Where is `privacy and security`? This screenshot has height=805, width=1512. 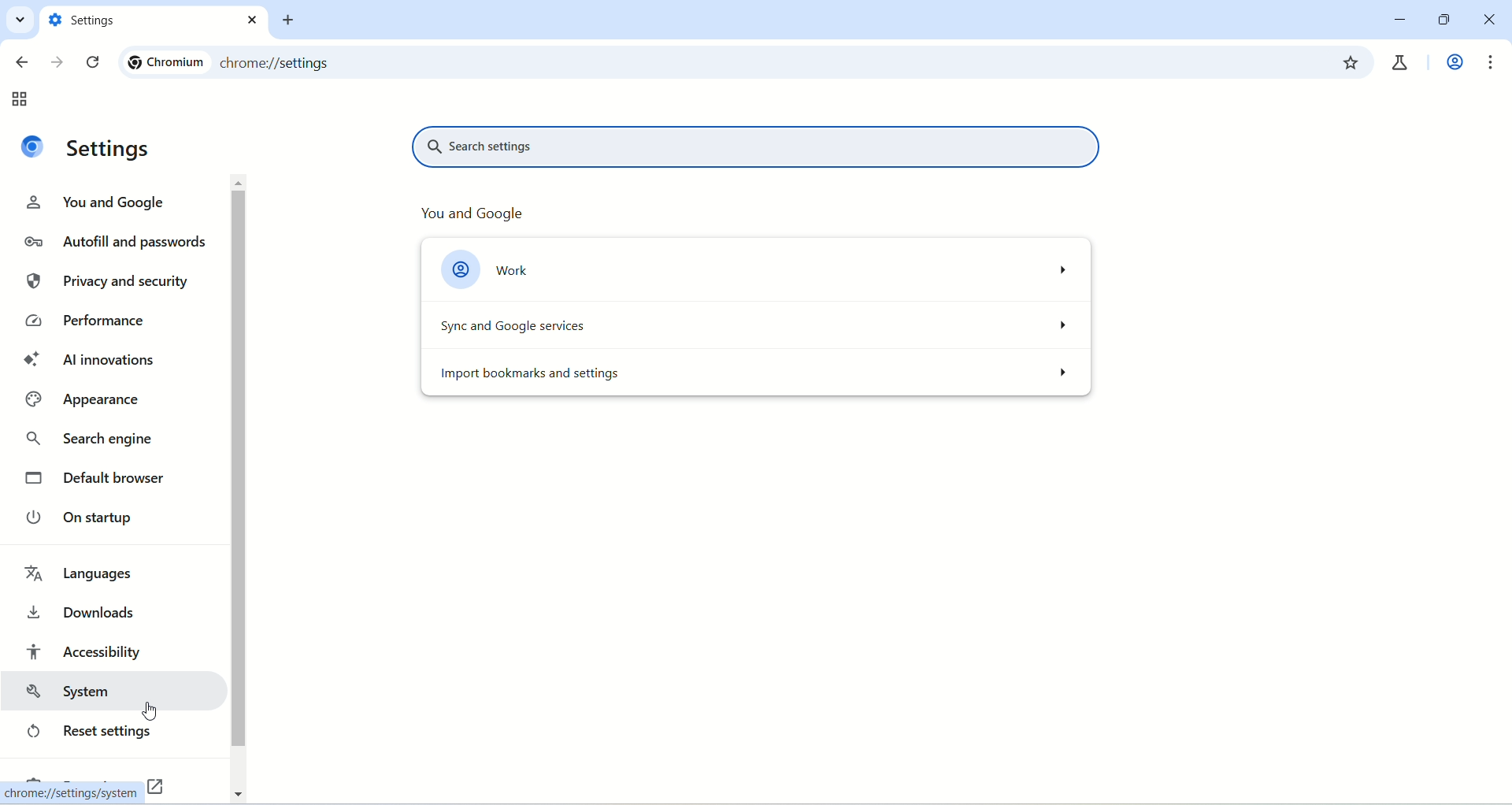
privacy and security is located at coordinates (106, 279).